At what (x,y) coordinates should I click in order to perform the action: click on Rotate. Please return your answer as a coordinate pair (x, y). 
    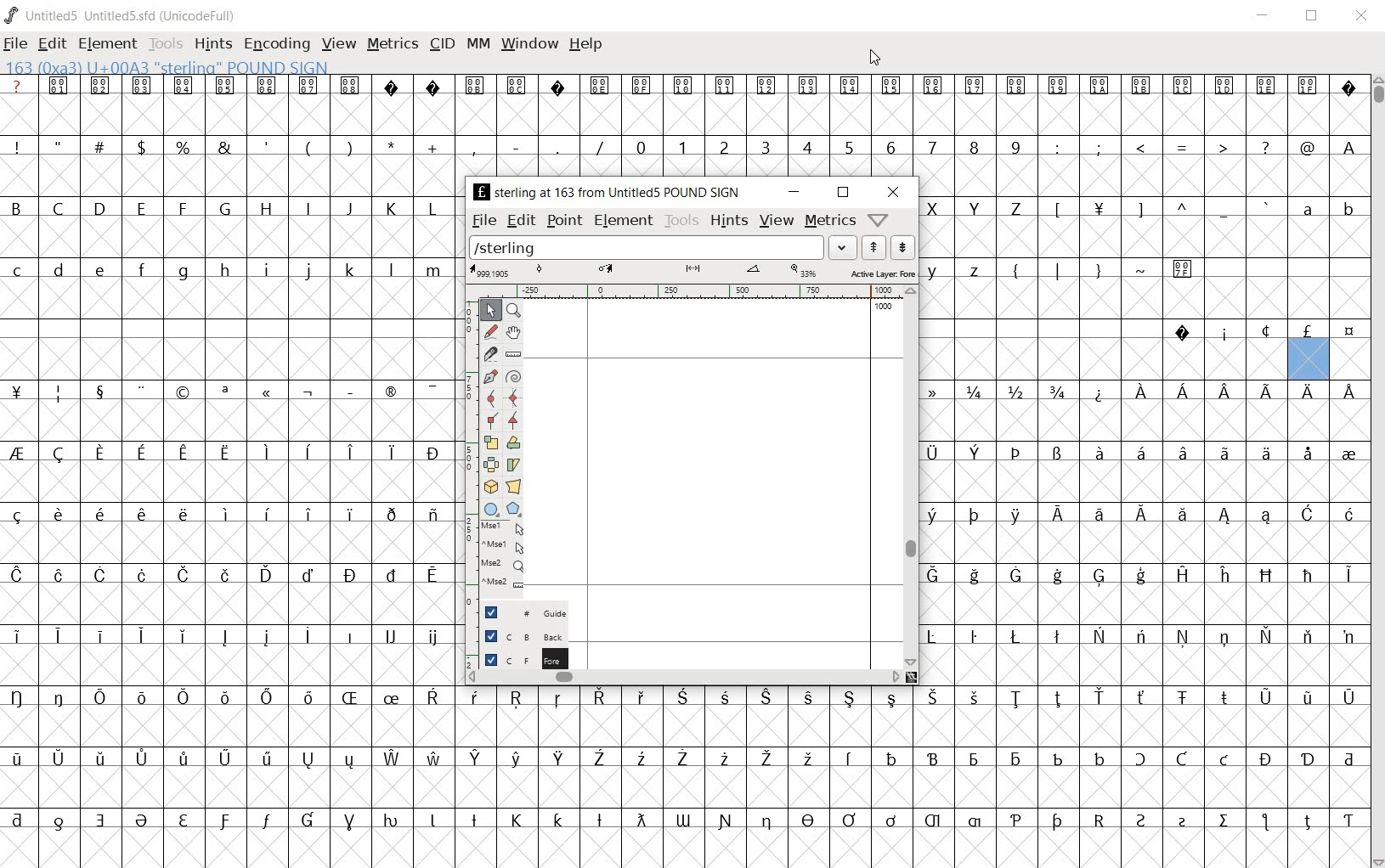
    Looking at the image, I should click on (517, 442).